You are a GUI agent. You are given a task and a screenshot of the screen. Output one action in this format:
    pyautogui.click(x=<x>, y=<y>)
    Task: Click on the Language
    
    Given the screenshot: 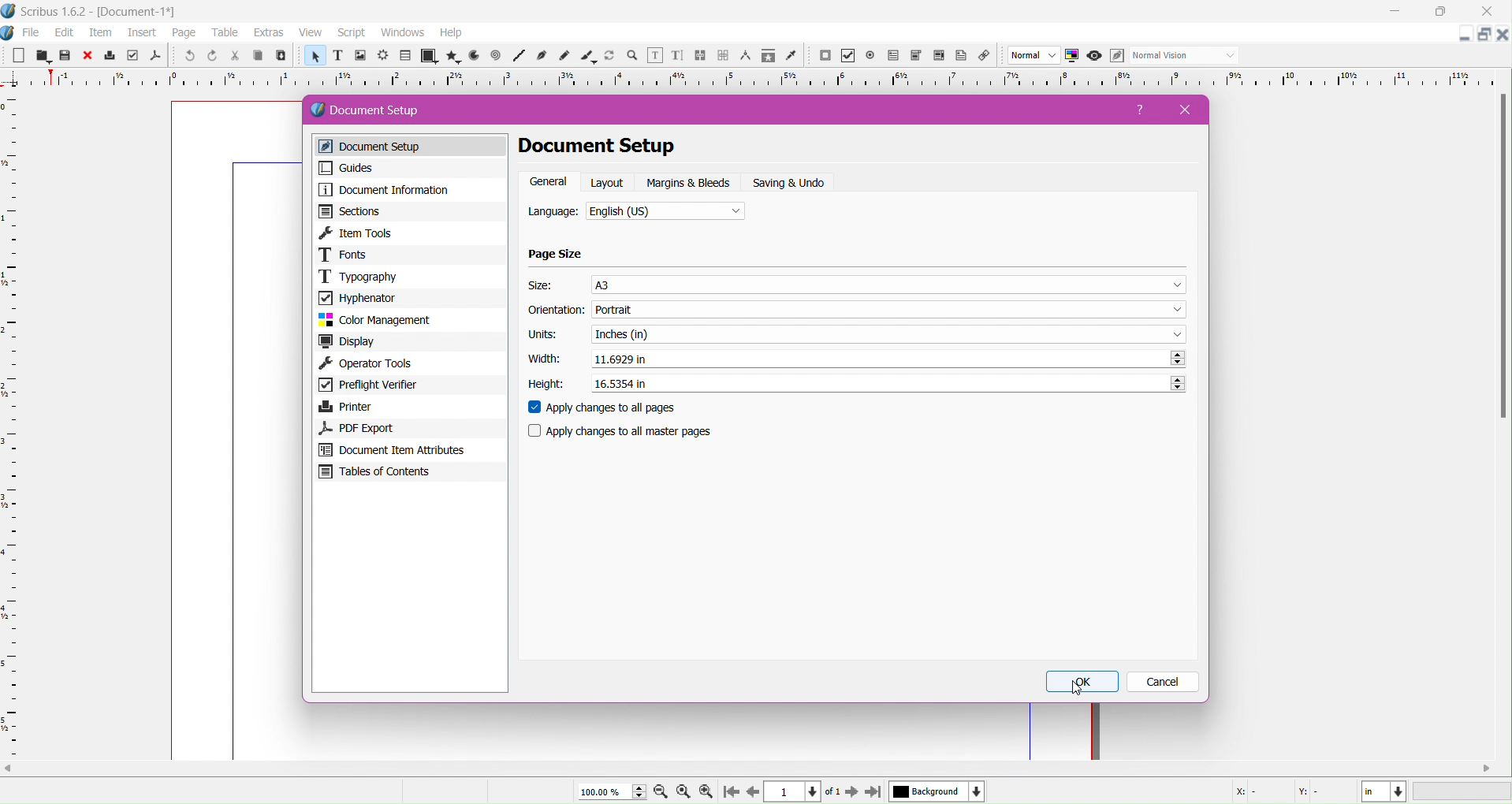 What is the action you would take?
    pyautogui.click(x=553, y=213)
    